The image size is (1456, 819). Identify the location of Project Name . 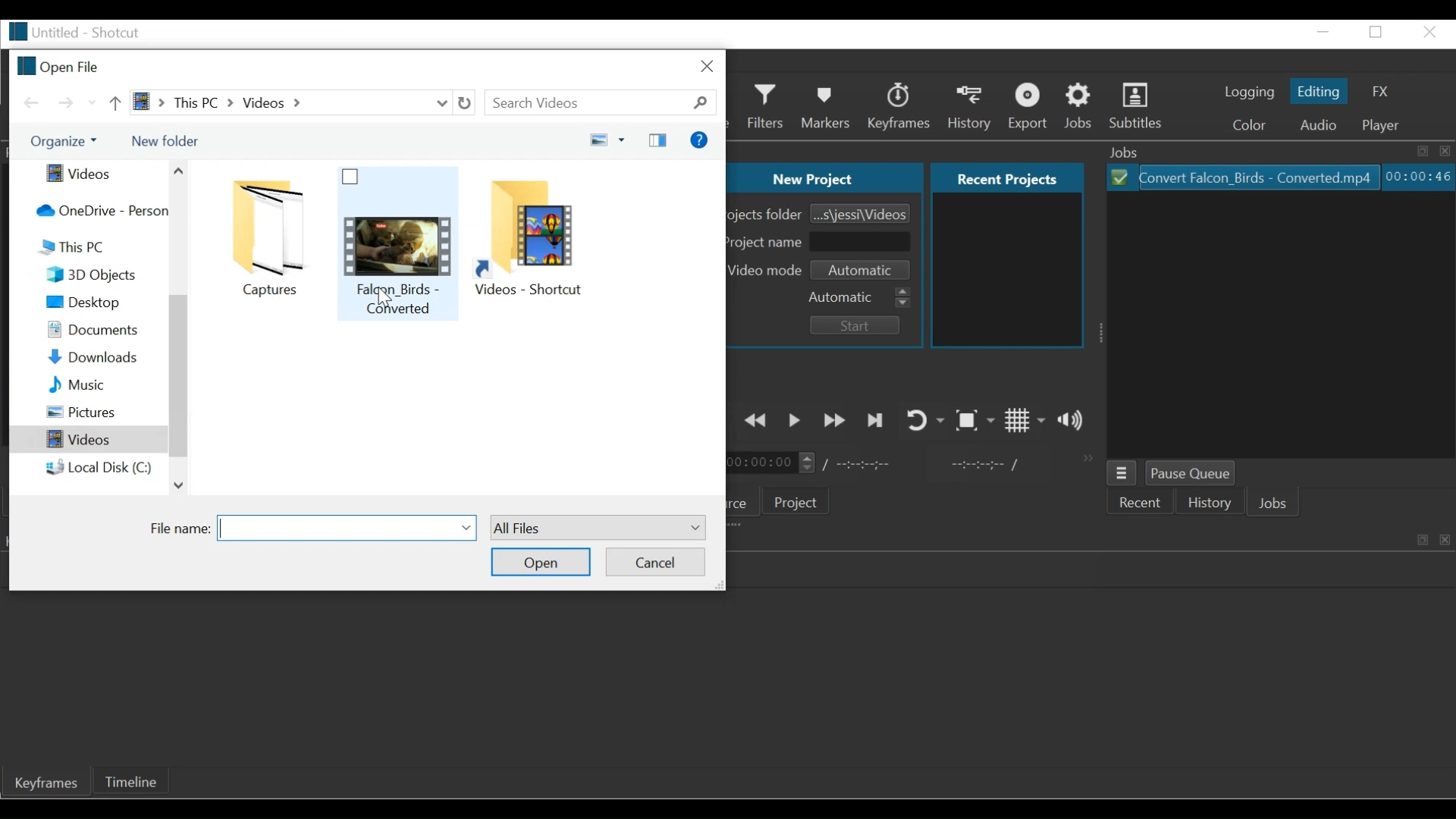
(768, 243).